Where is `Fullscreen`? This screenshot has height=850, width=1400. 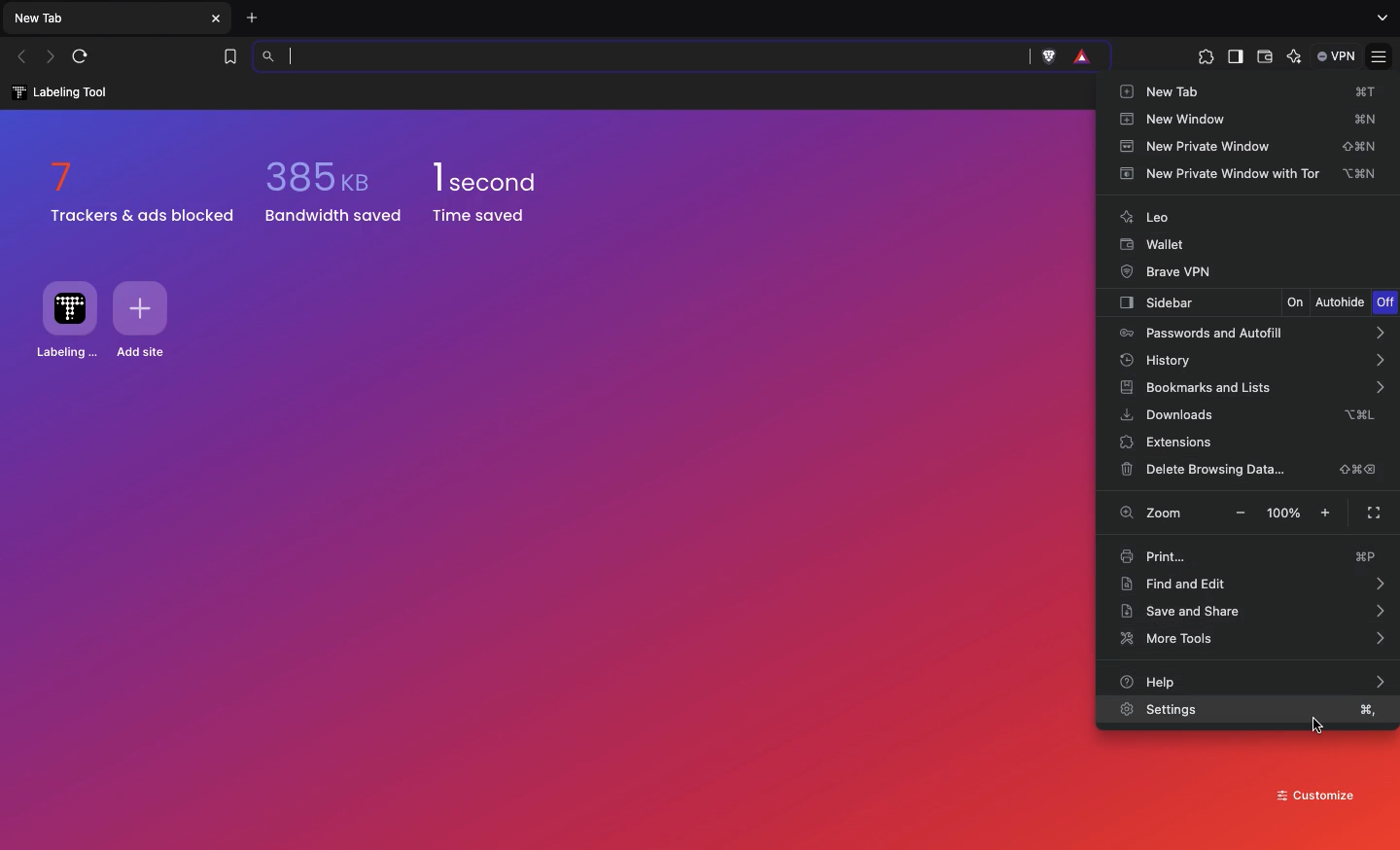
Fullscreen is located at coordinates (1377, 511).